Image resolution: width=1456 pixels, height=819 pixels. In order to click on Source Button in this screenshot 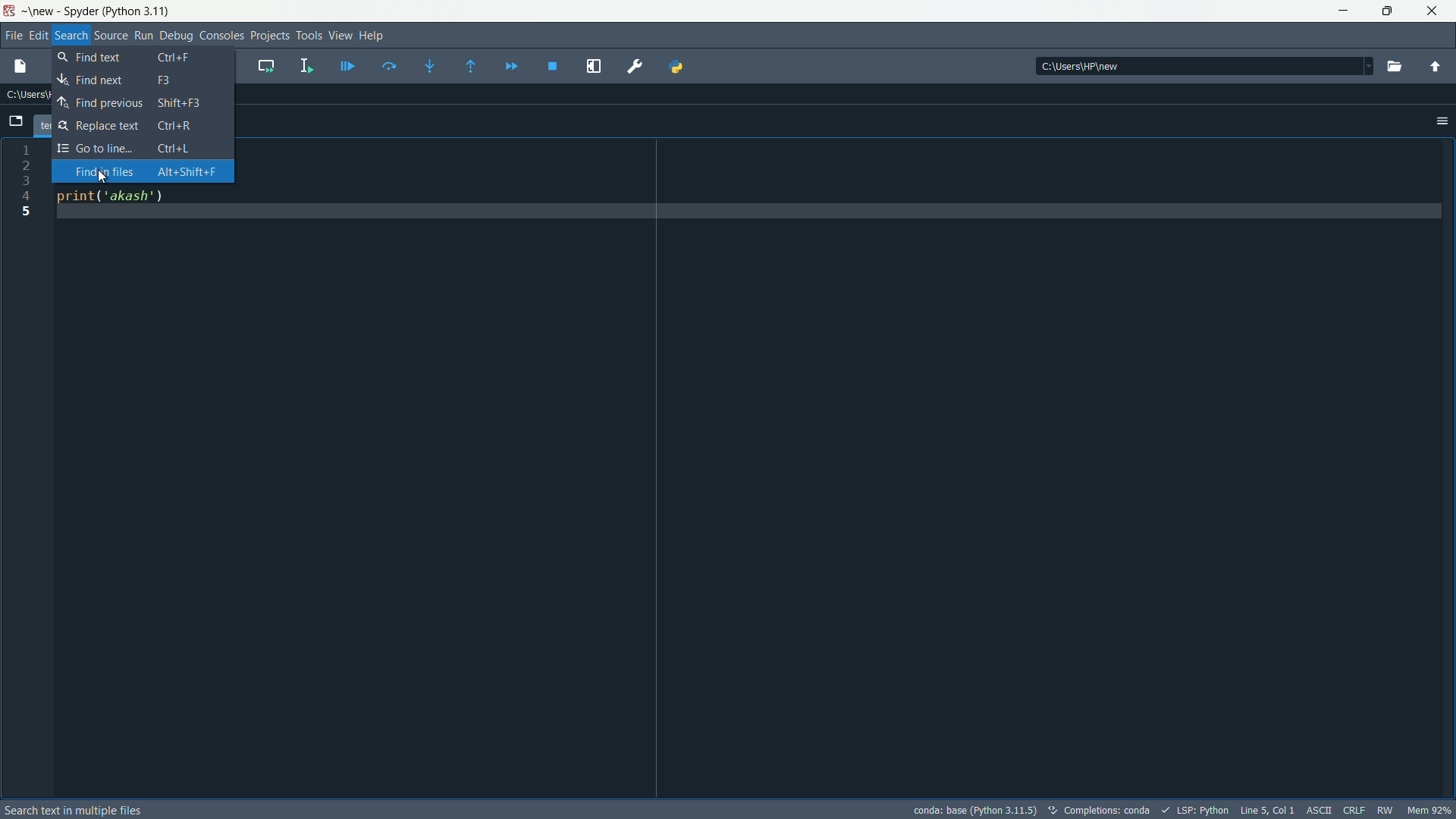, I will do `click(111, 36)`.